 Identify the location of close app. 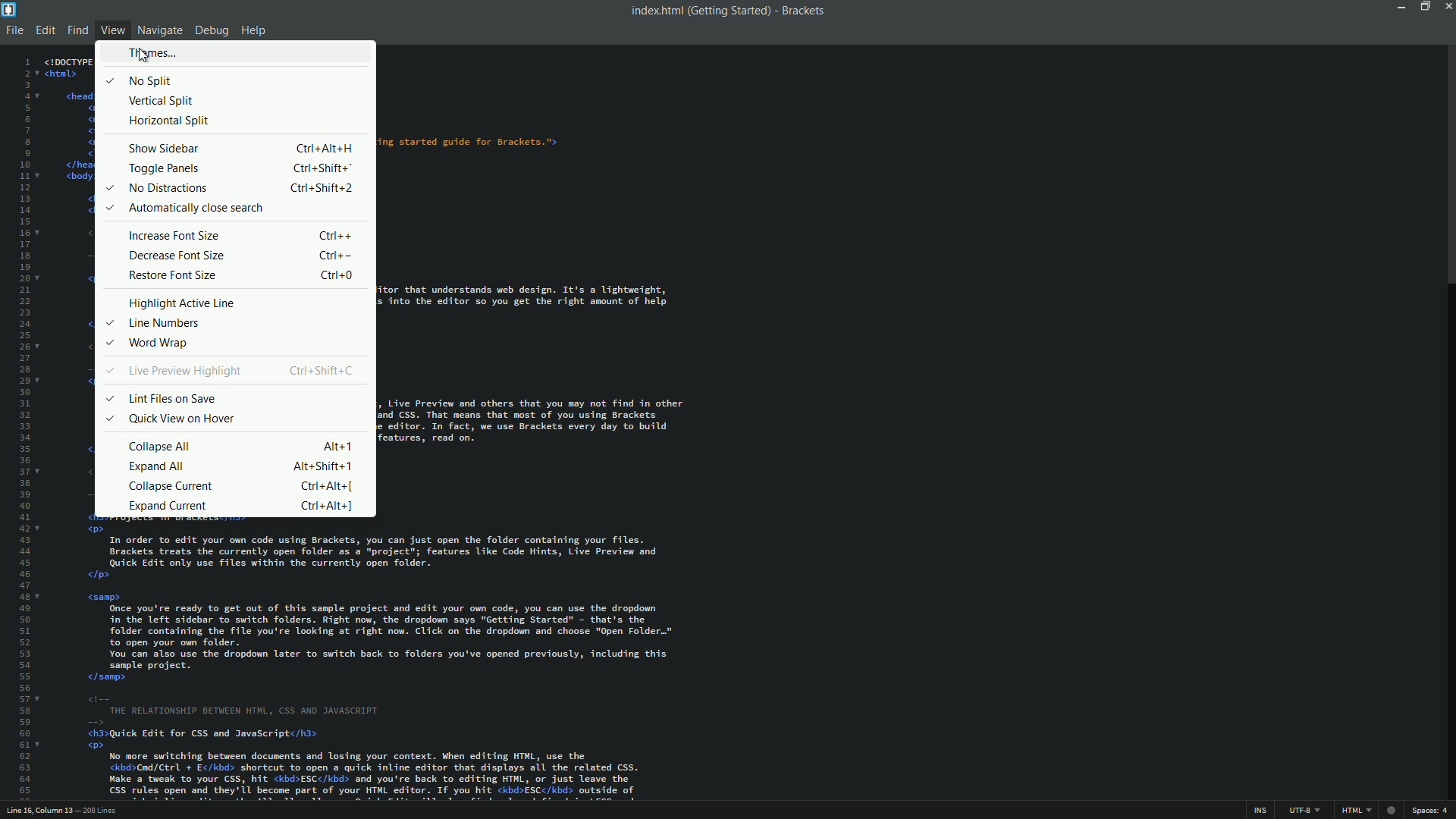
(1447, 6).